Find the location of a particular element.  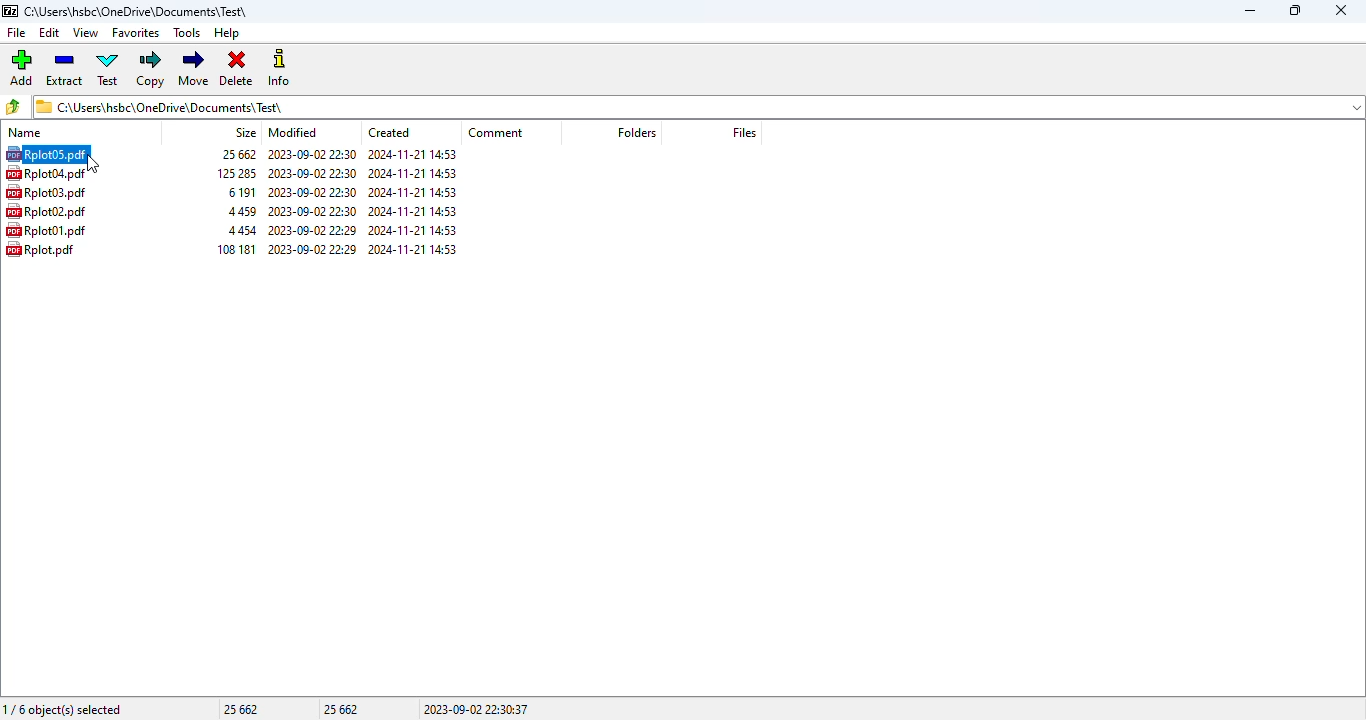

maximize is located at coordinates (1293, 10).